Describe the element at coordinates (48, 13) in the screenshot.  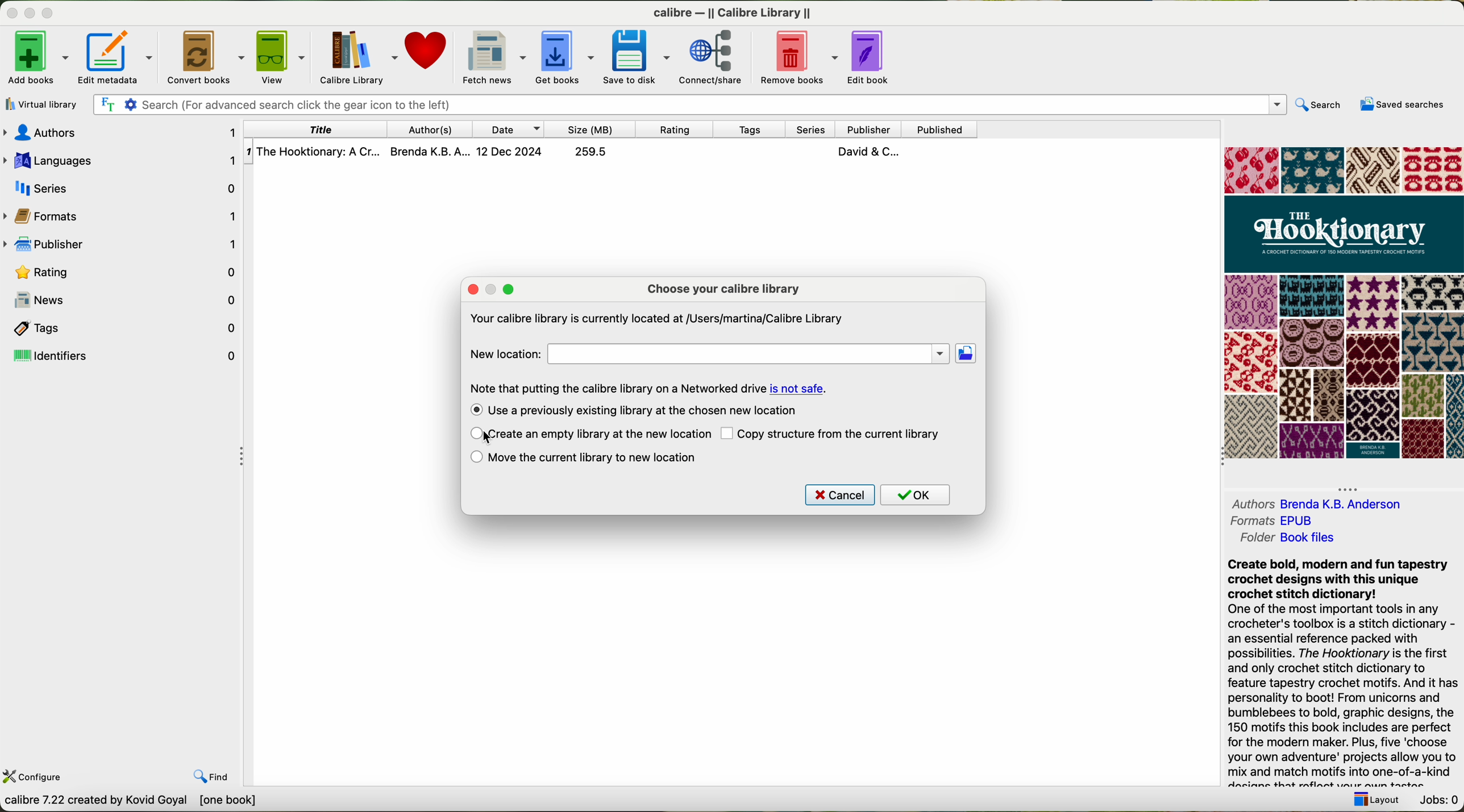
I see `maximize` at that location.